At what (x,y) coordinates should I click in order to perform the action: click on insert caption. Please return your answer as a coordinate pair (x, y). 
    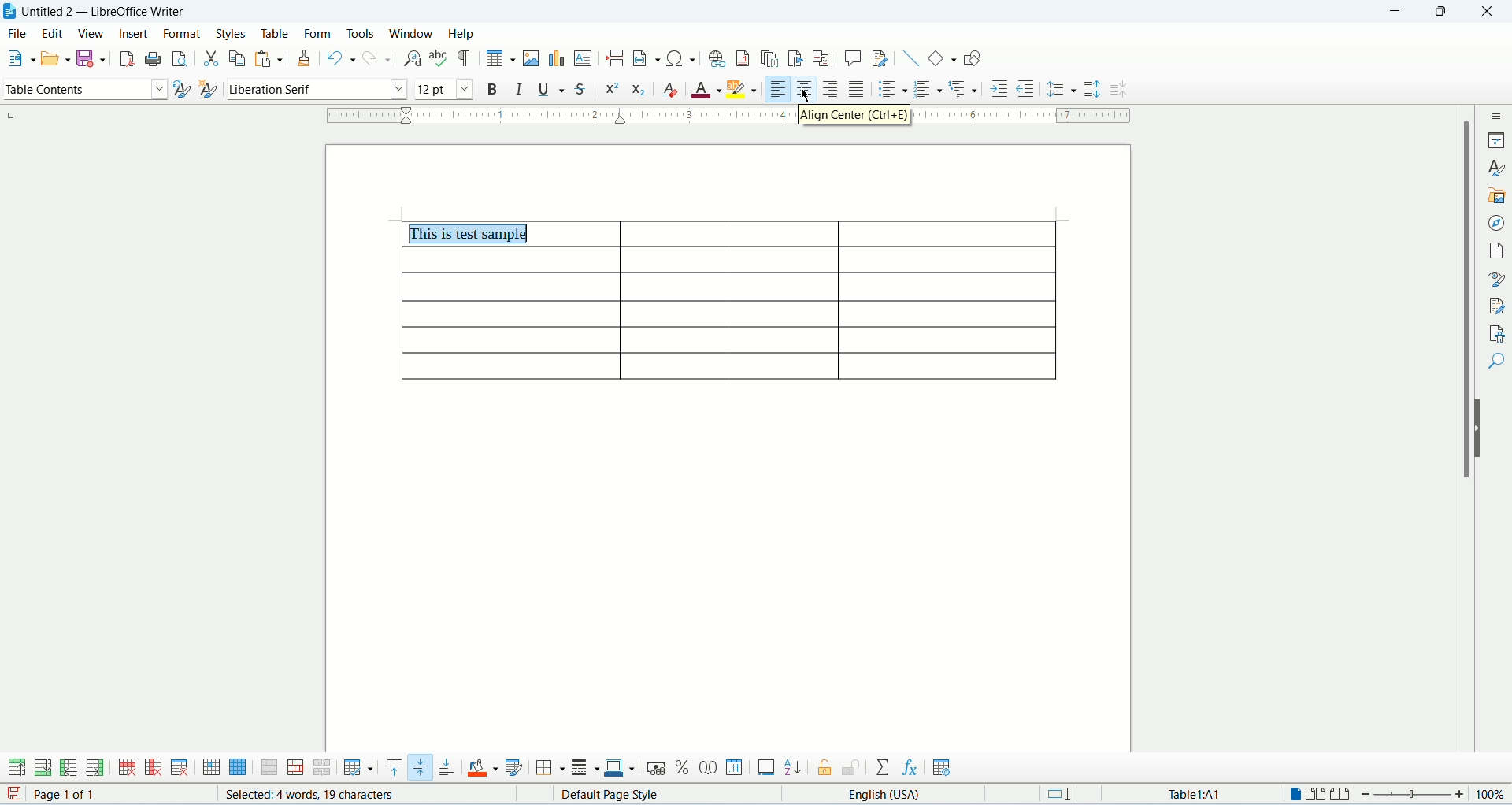
    Looking at the image, I should click on (766, 769).